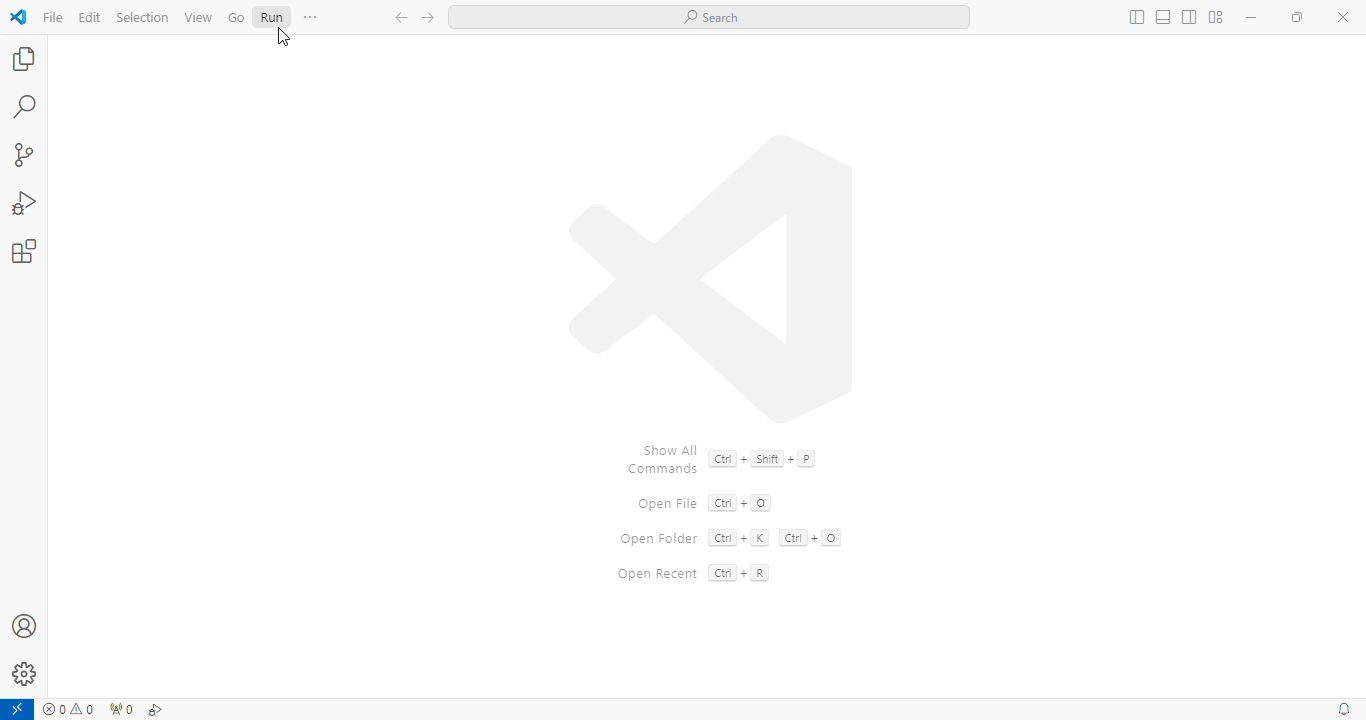 This screenshot has width=1366, height=720. What do you see at coordinates (70, 709) in the screenshot?
I see `no problems` at bounding box center [70, 709].